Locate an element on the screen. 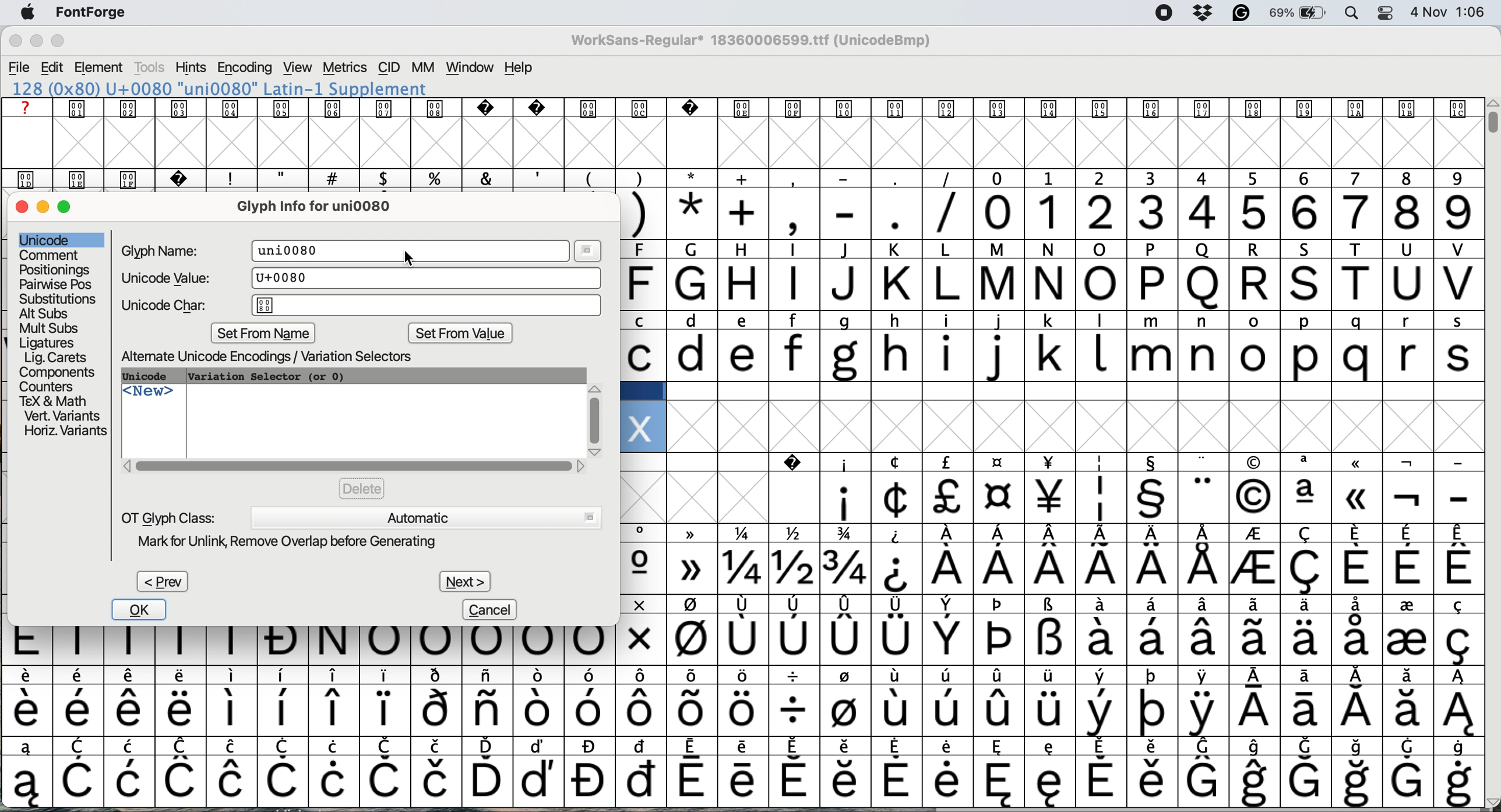 This screenshot has width=1501, height=812. vert variants is located at coordinates (62, 416).